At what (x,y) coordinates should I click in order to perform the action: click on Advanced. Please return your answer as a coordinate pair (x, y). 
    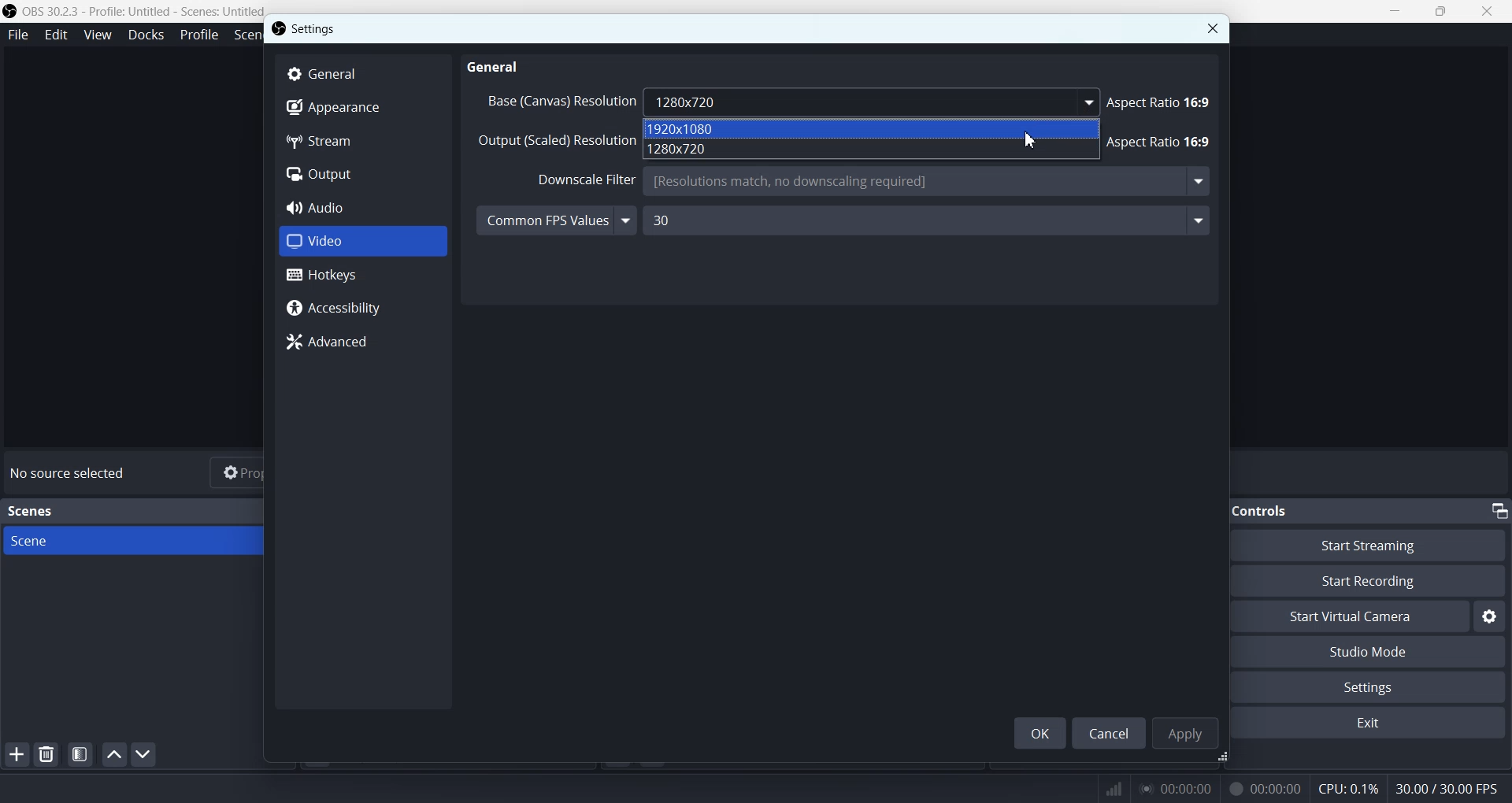
    Looking at the image, I should click on (363, 342).